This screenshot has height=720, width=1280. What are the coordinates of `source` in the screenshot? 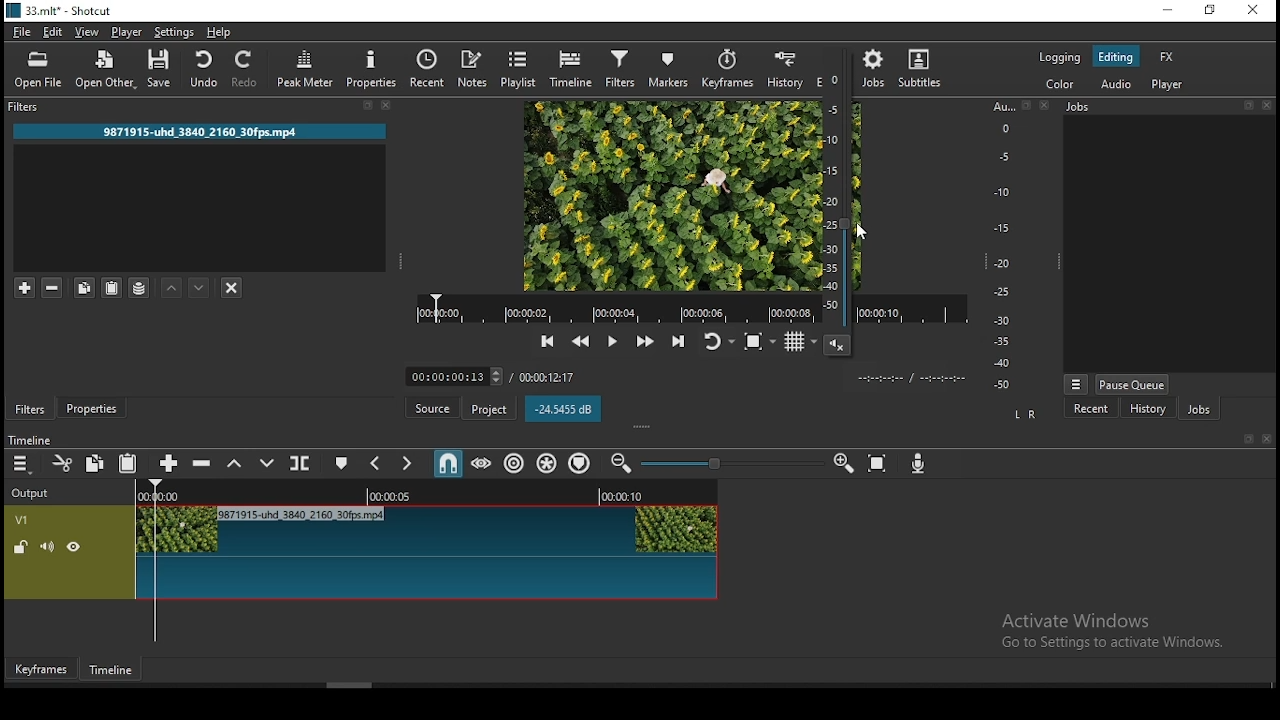 It's located at (437, 409).